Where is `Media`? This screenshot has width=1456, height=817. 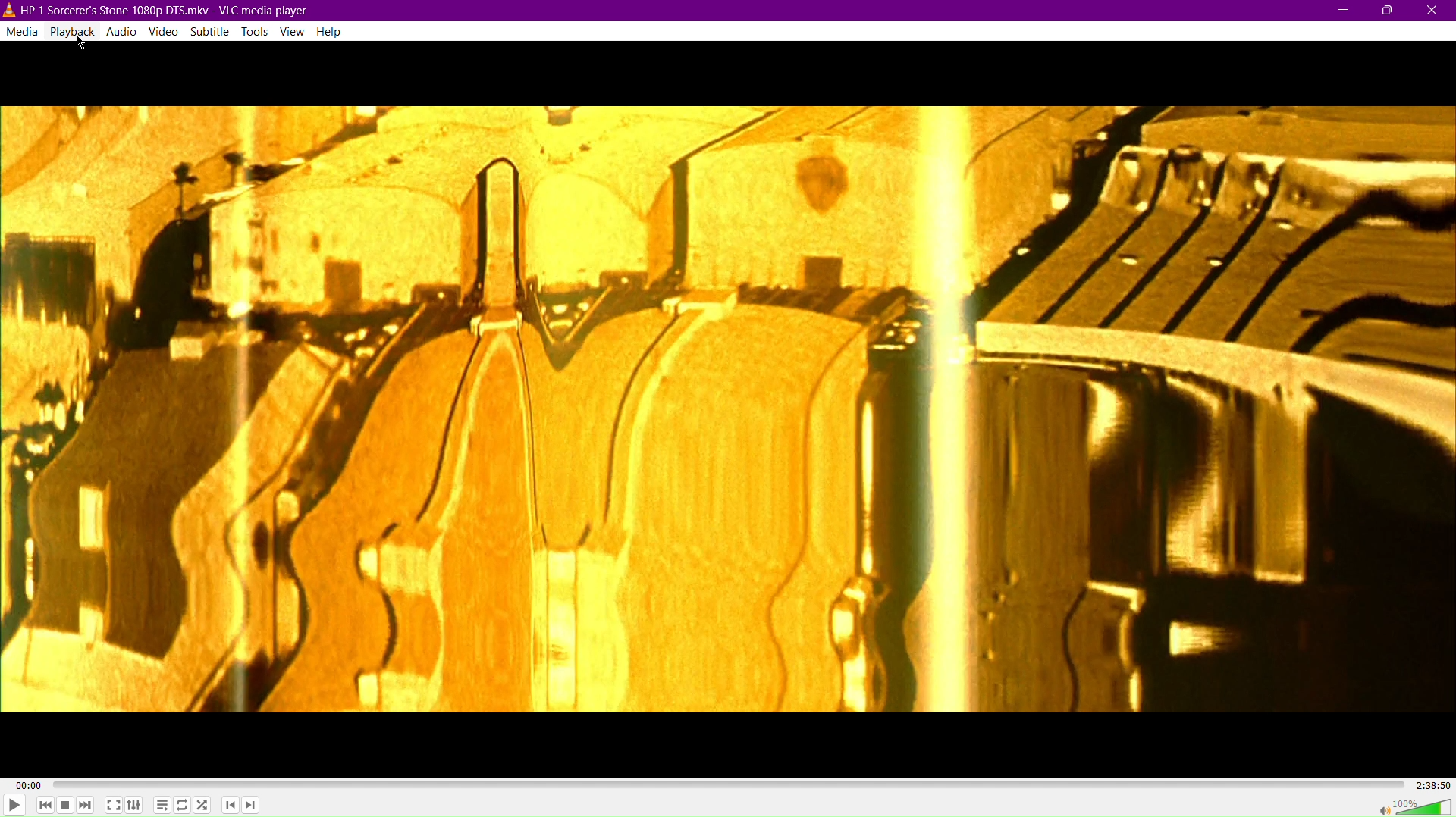 Media is located at coordinates (22, 29).